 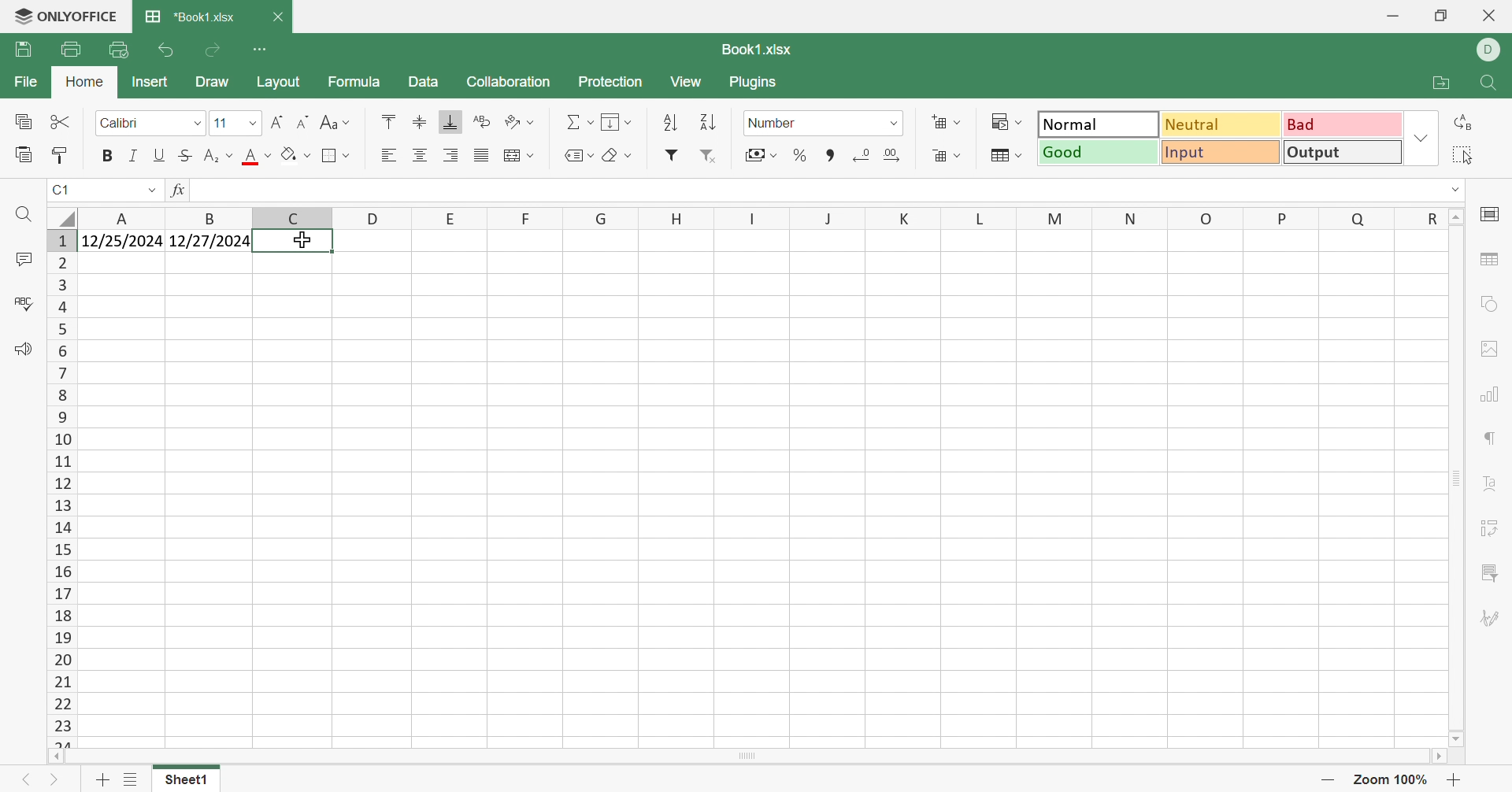 I want to click on A1, so click(x=65, y=190).